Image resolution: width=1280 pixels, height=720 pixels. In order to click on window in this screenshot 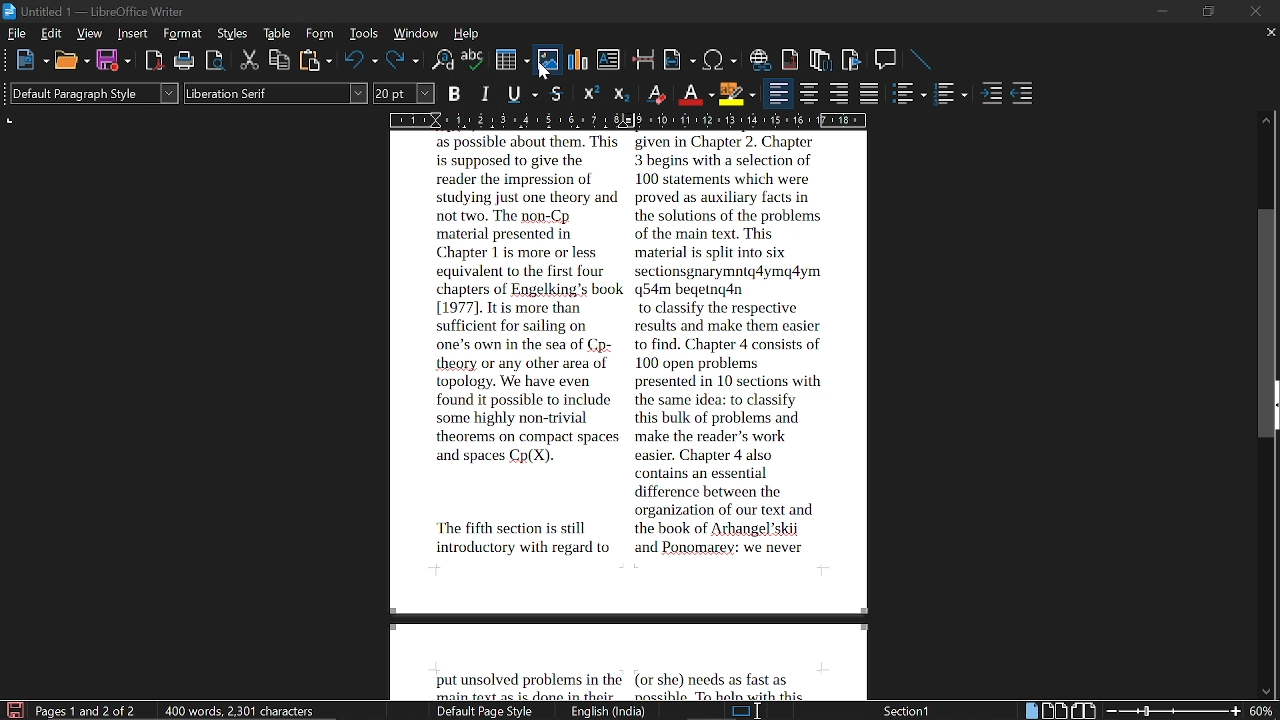, I will do `click(414, 33)`.